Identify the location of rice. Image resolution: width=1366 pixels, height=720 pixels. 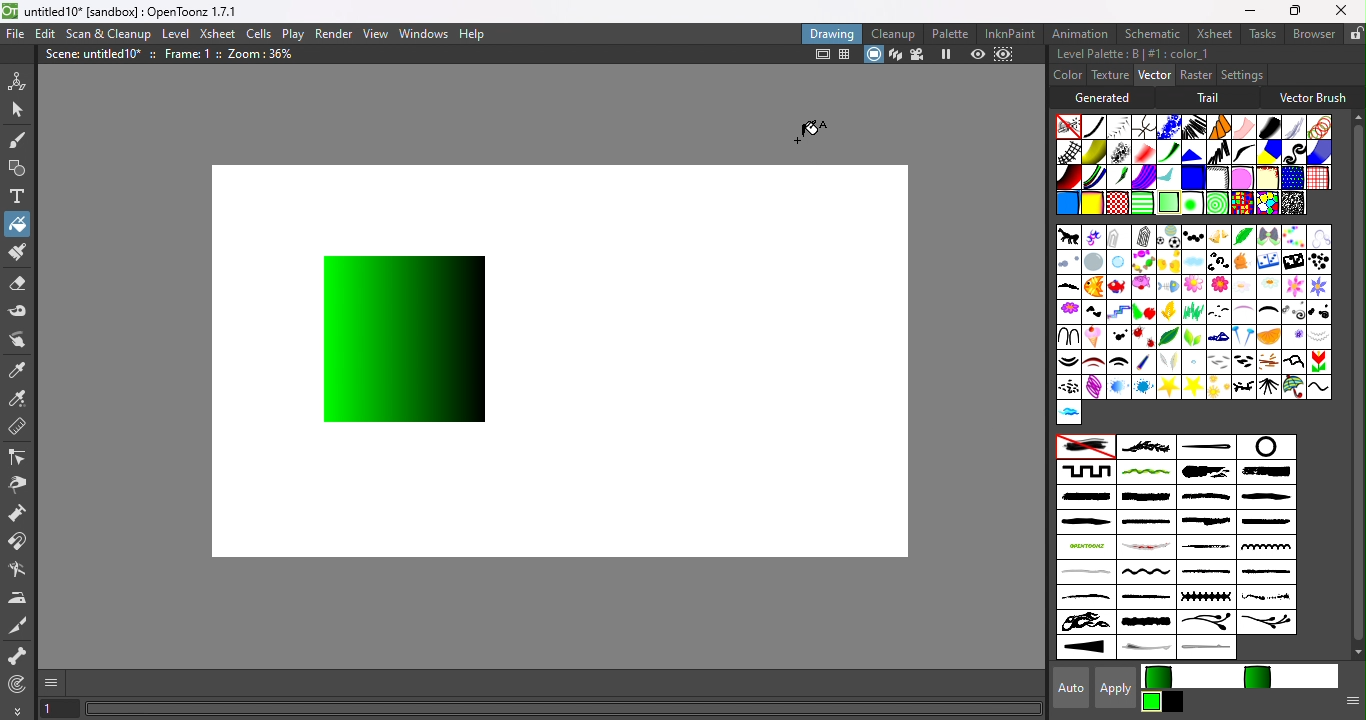
(1220, 362).